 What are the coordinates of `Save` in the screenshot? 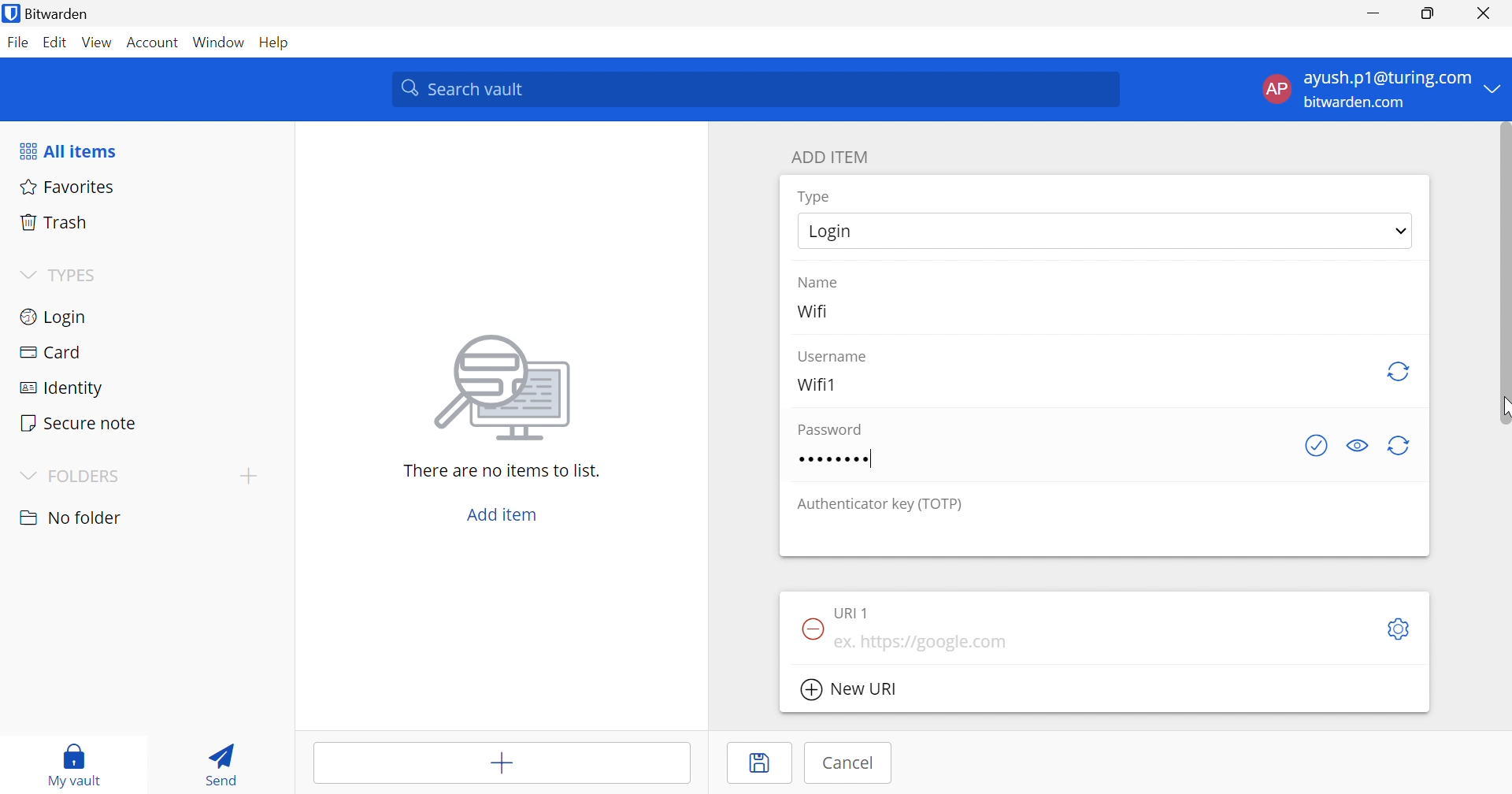 It's located at (762, 763).